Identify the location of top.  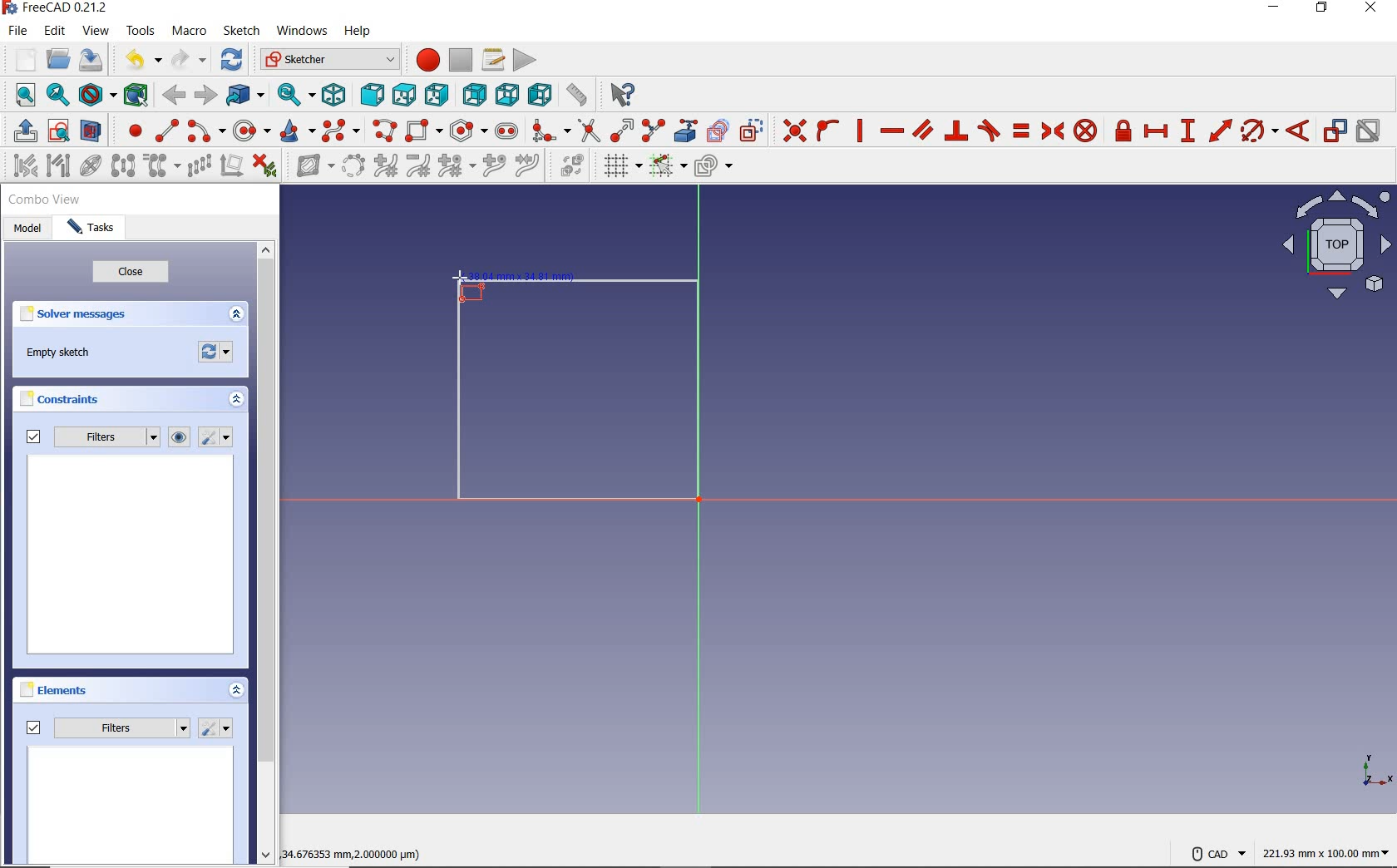
(404, 95).